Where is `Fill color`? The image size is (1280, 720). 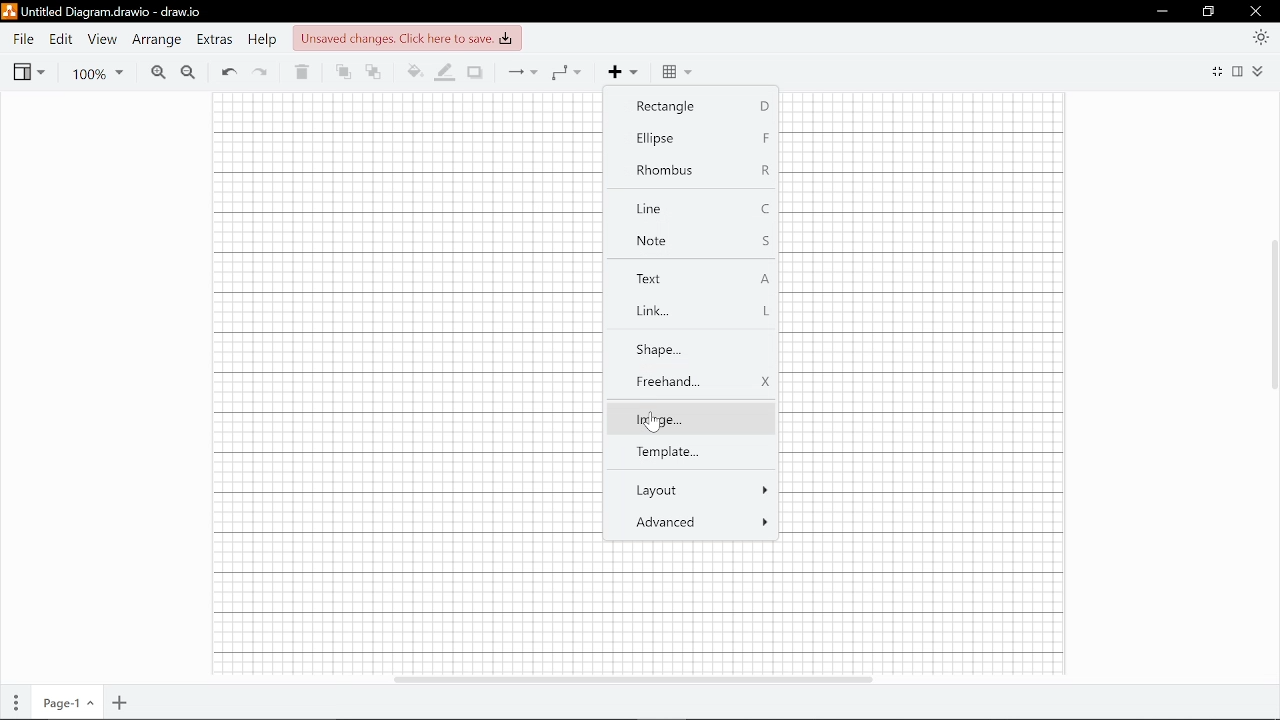 Fill color is located at coordinates (414, 71).